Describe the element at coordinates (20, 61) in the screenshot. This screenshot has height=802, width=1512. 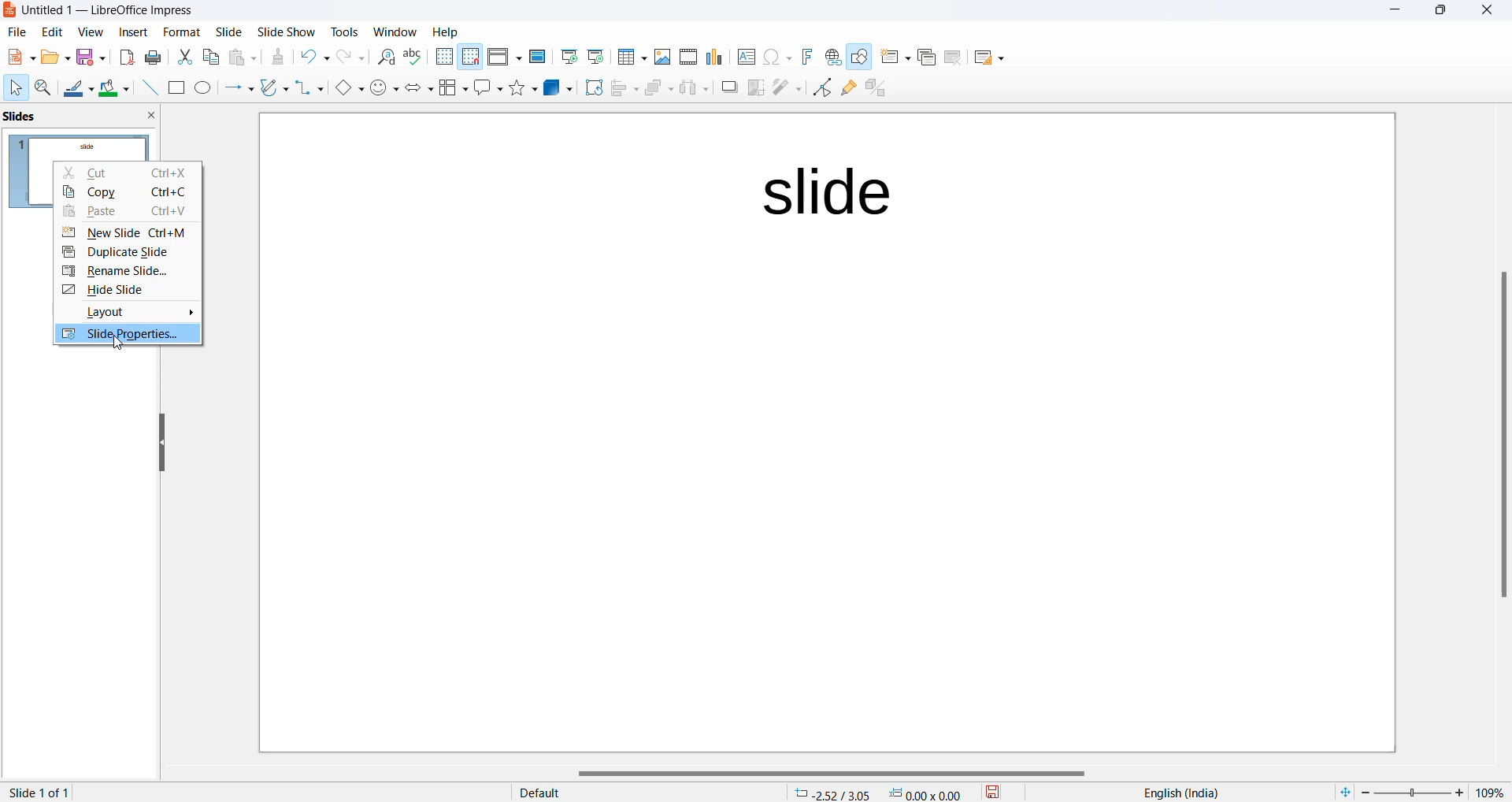
I see `new file` at that location.